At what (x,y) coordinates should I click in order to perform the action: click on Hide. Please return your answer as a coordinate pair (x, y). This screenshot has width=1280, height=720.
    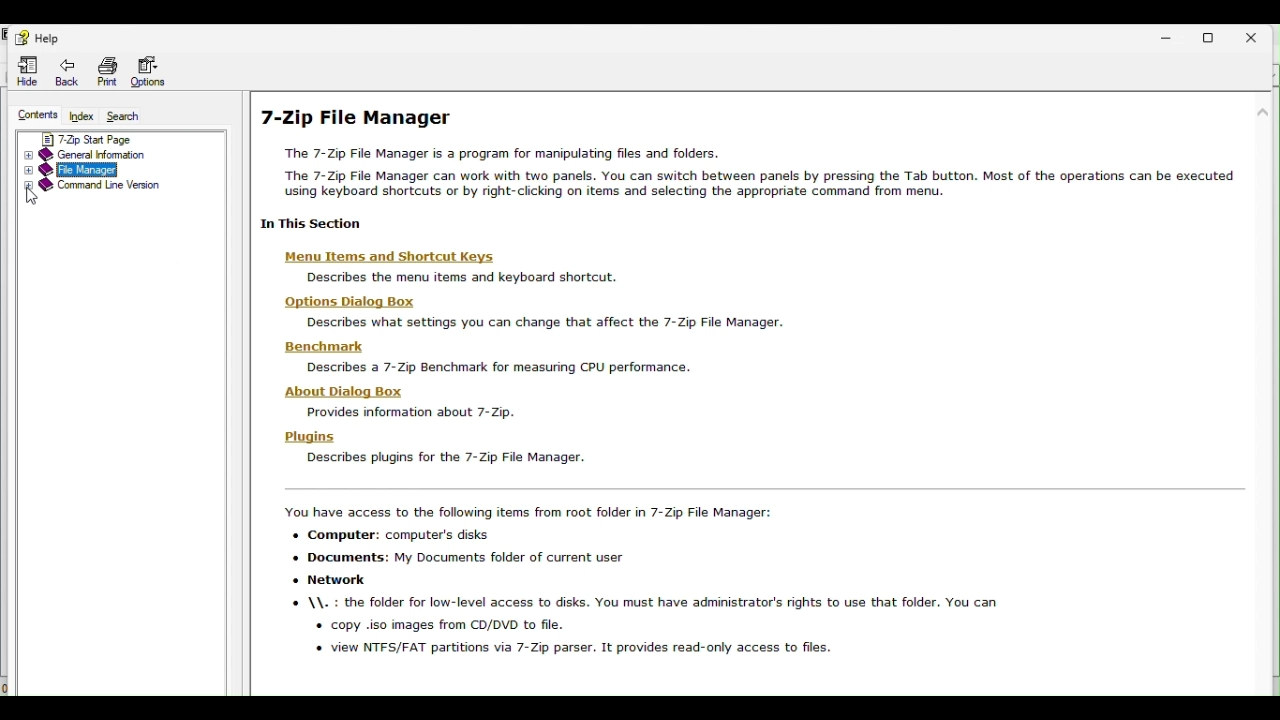
    Looking at the image, I should click on (27, 72).